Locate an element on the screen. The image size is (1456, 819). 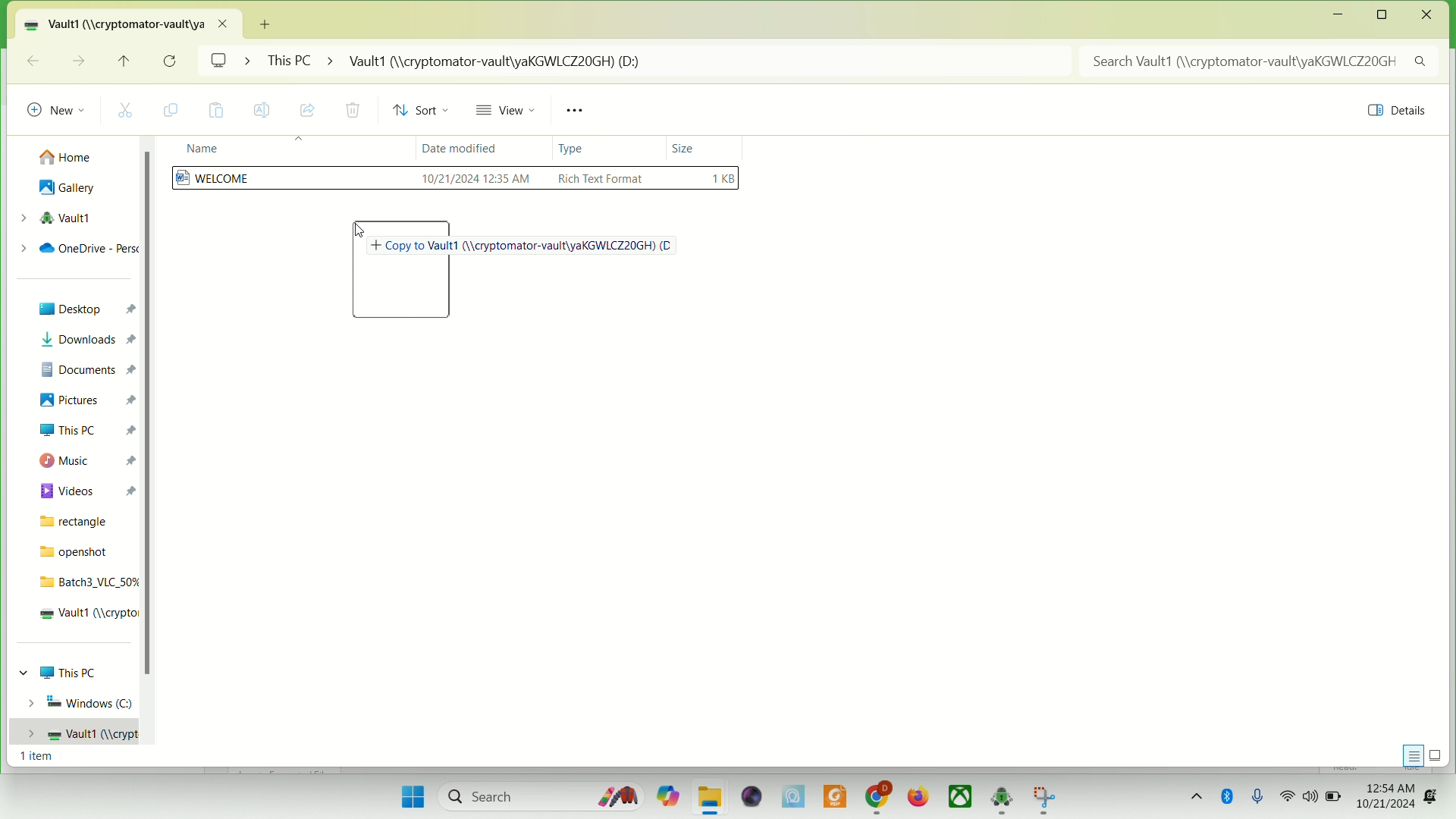
copilet is located at coordinates (664, 796).